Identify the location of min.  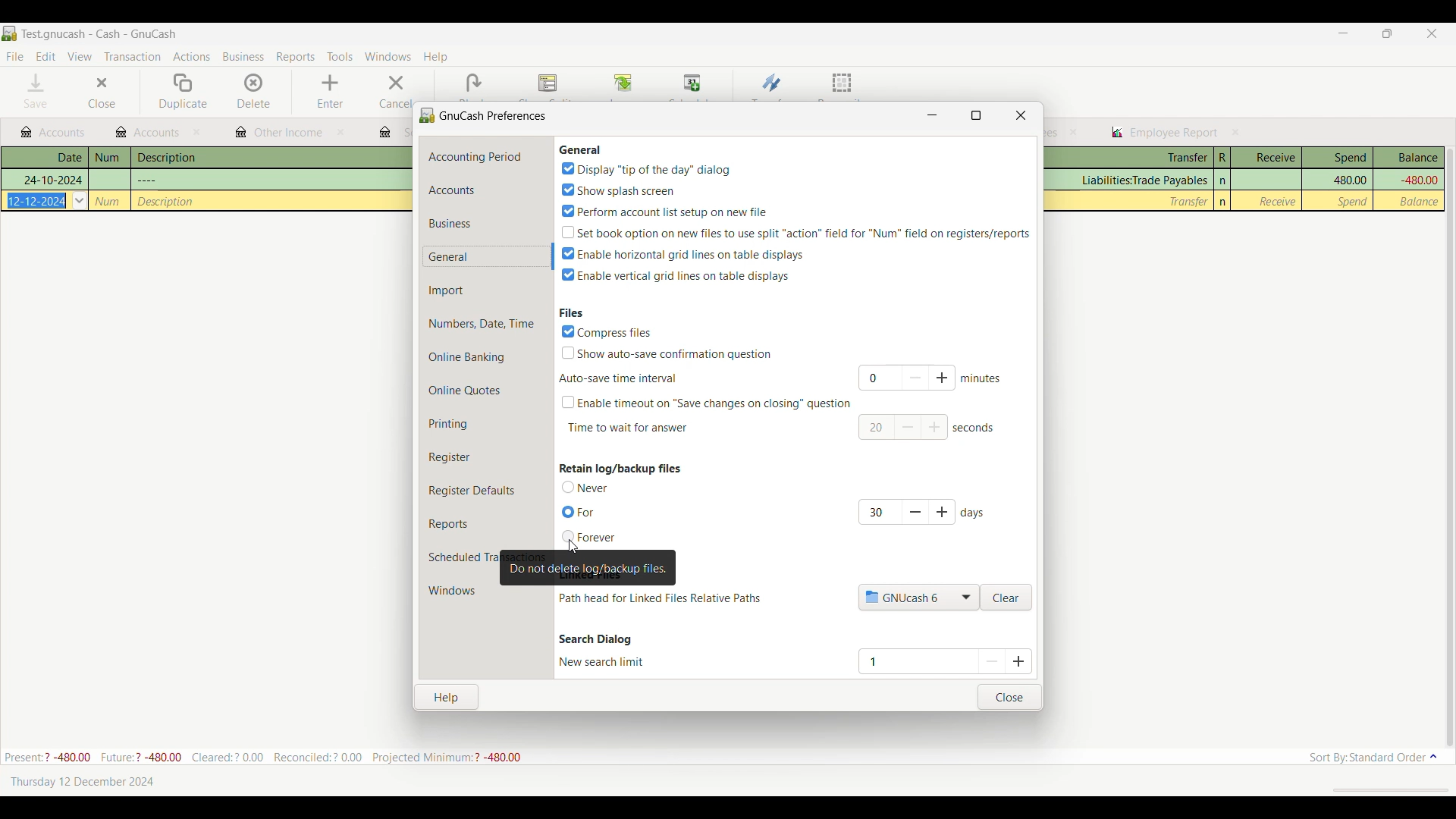
(983, 378).